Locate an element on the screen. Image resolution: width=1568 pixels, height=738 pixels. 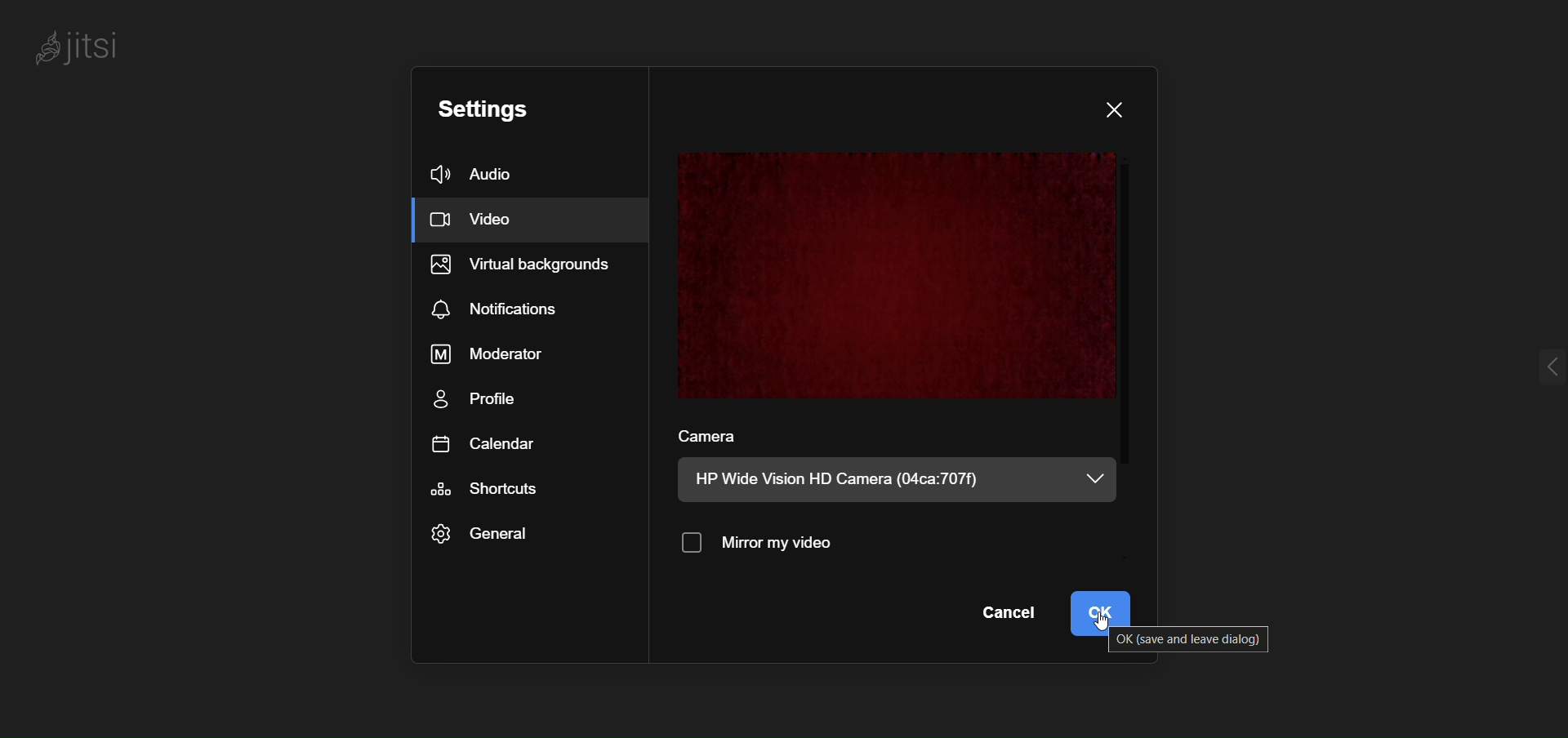
profile is located at coordinates (475, 402).